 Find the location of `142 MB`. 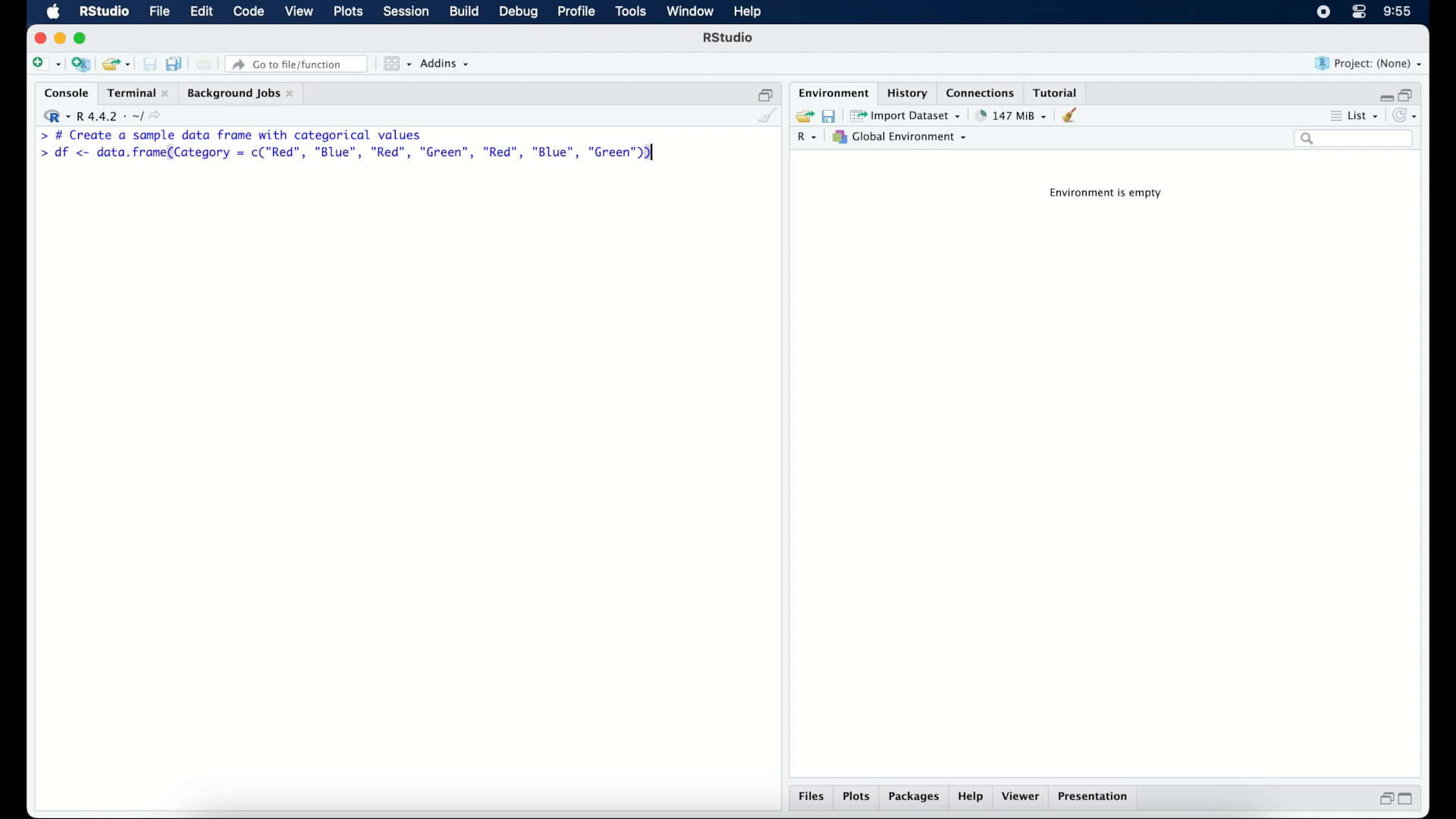

142 MB is located at coordinates (1012, 115).